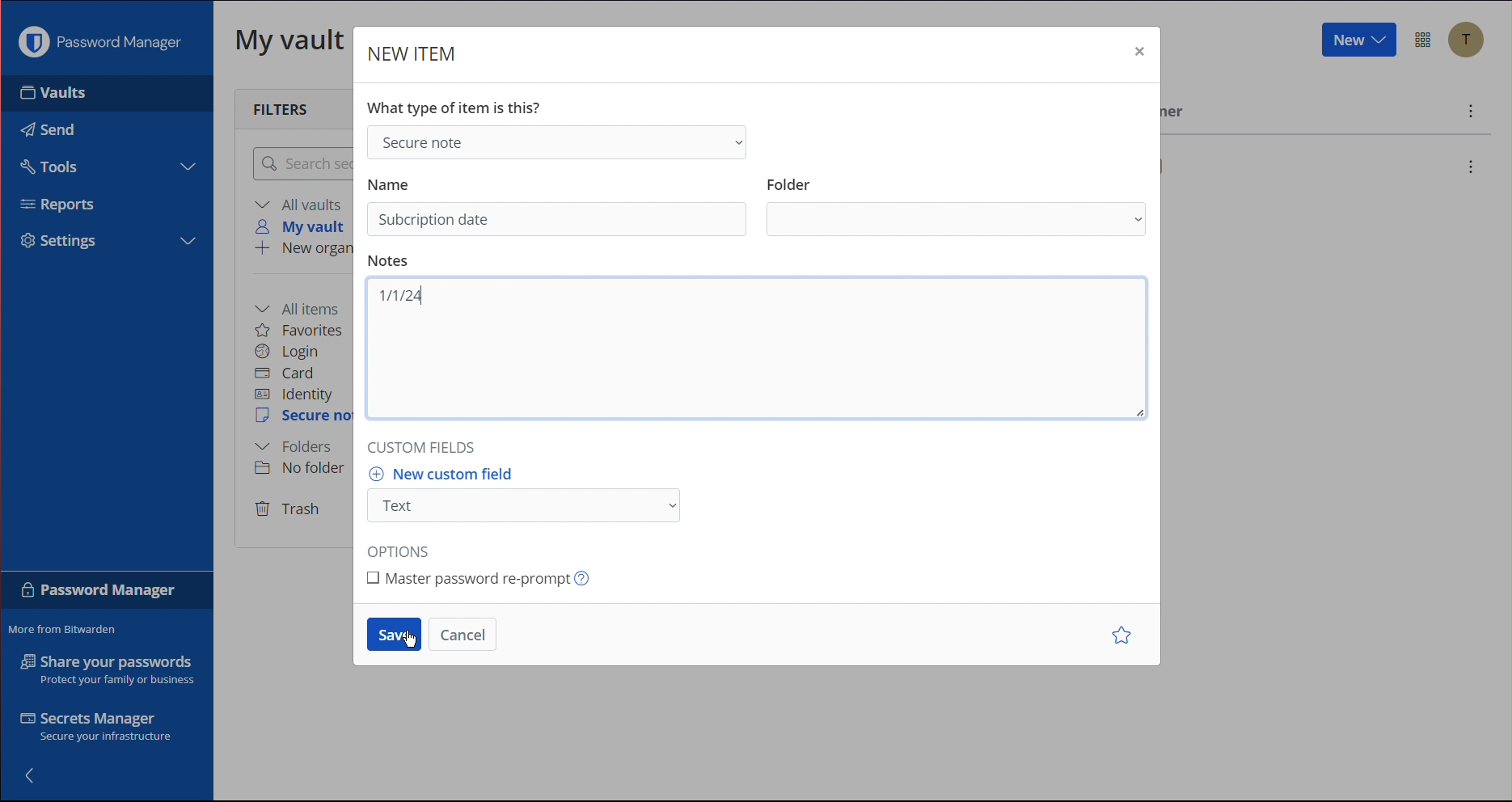  I want to click on New Item, so click(413, 55).